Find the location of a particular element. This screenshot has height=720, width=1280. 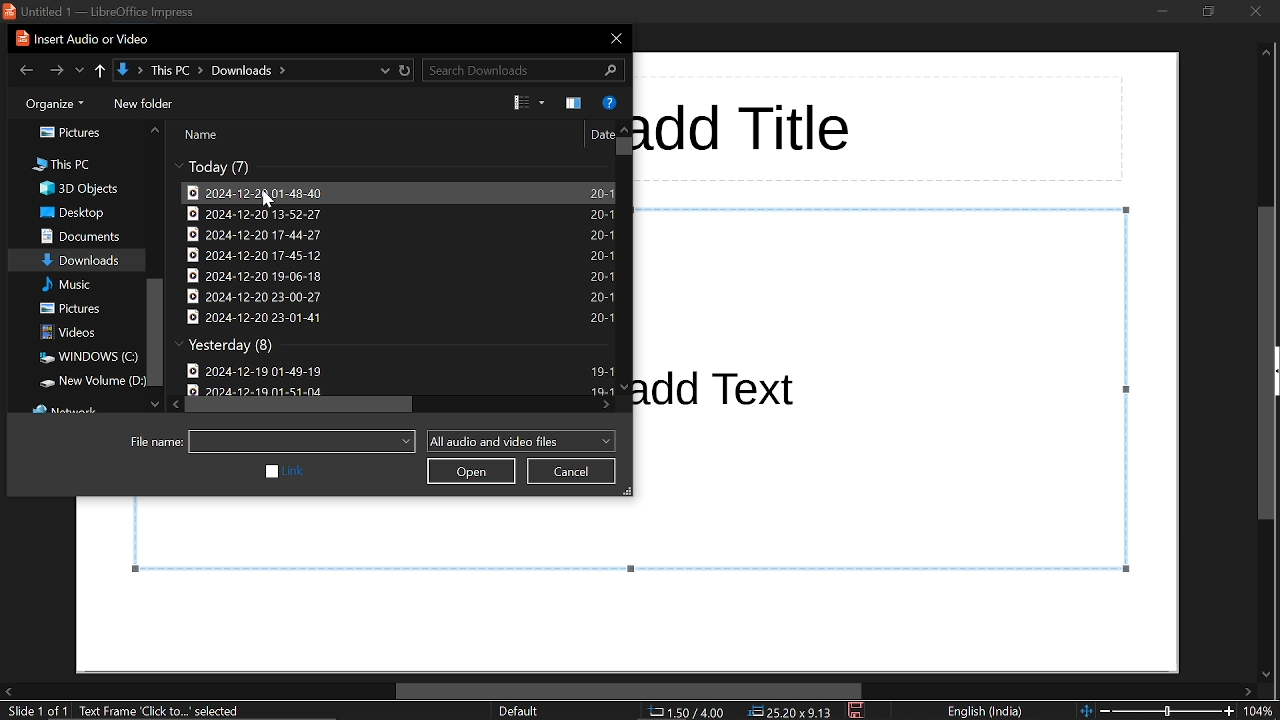

date is located at coordinates (263, 390).